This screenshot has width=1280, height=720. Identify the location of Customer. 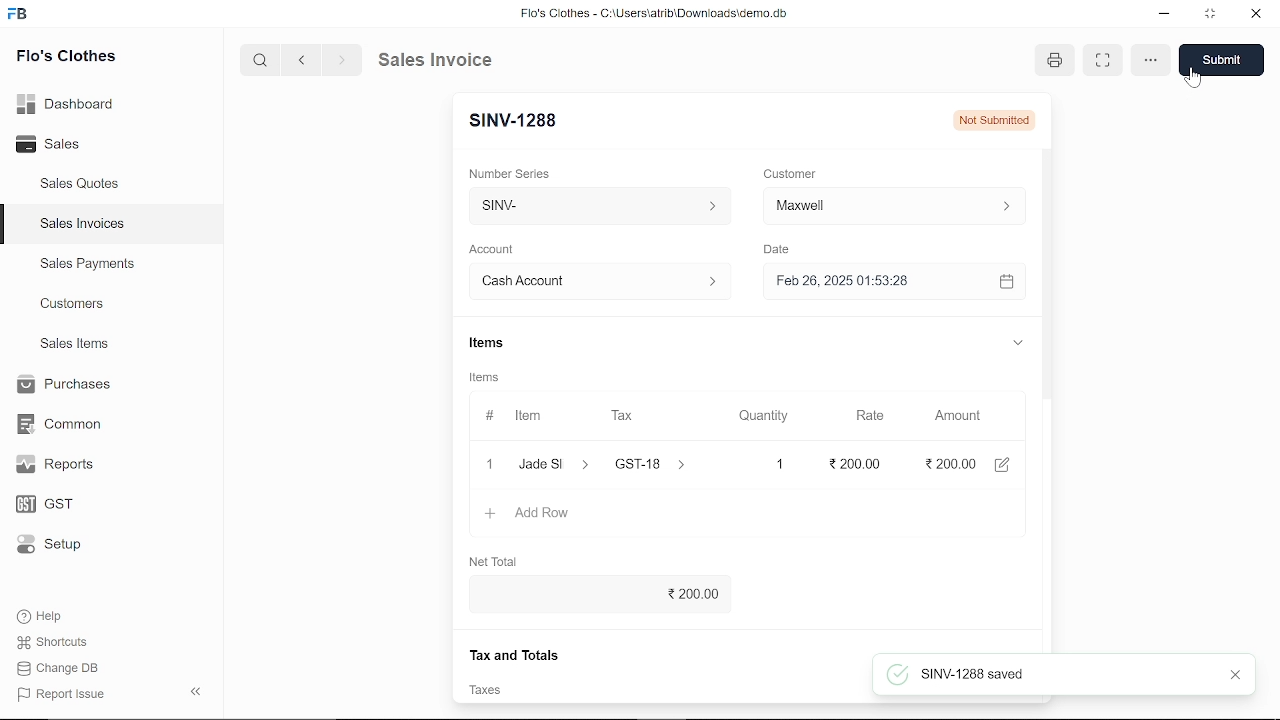
(894, 205).